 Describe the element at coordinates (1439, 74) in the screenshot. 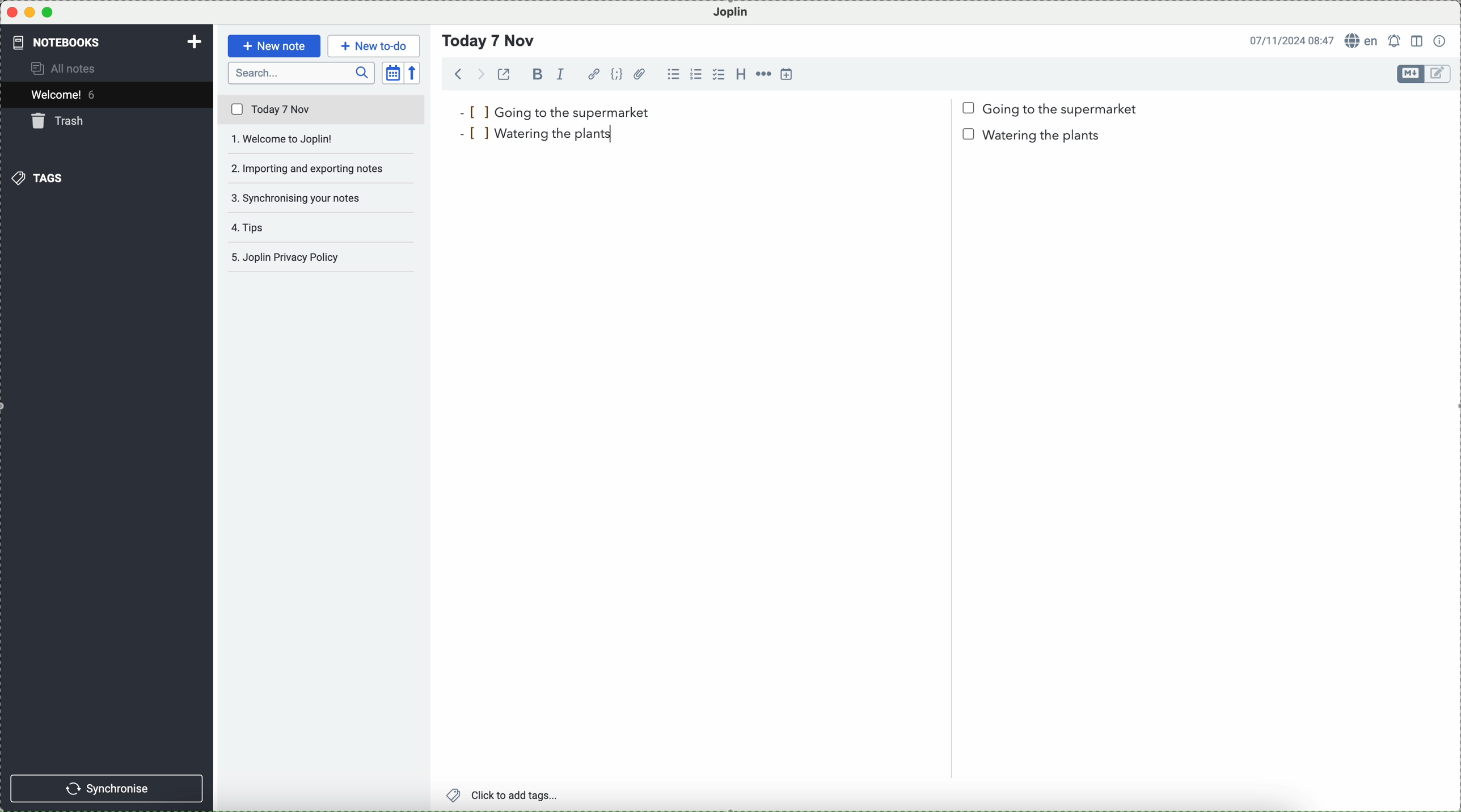

I see `toggle editors` at that location.